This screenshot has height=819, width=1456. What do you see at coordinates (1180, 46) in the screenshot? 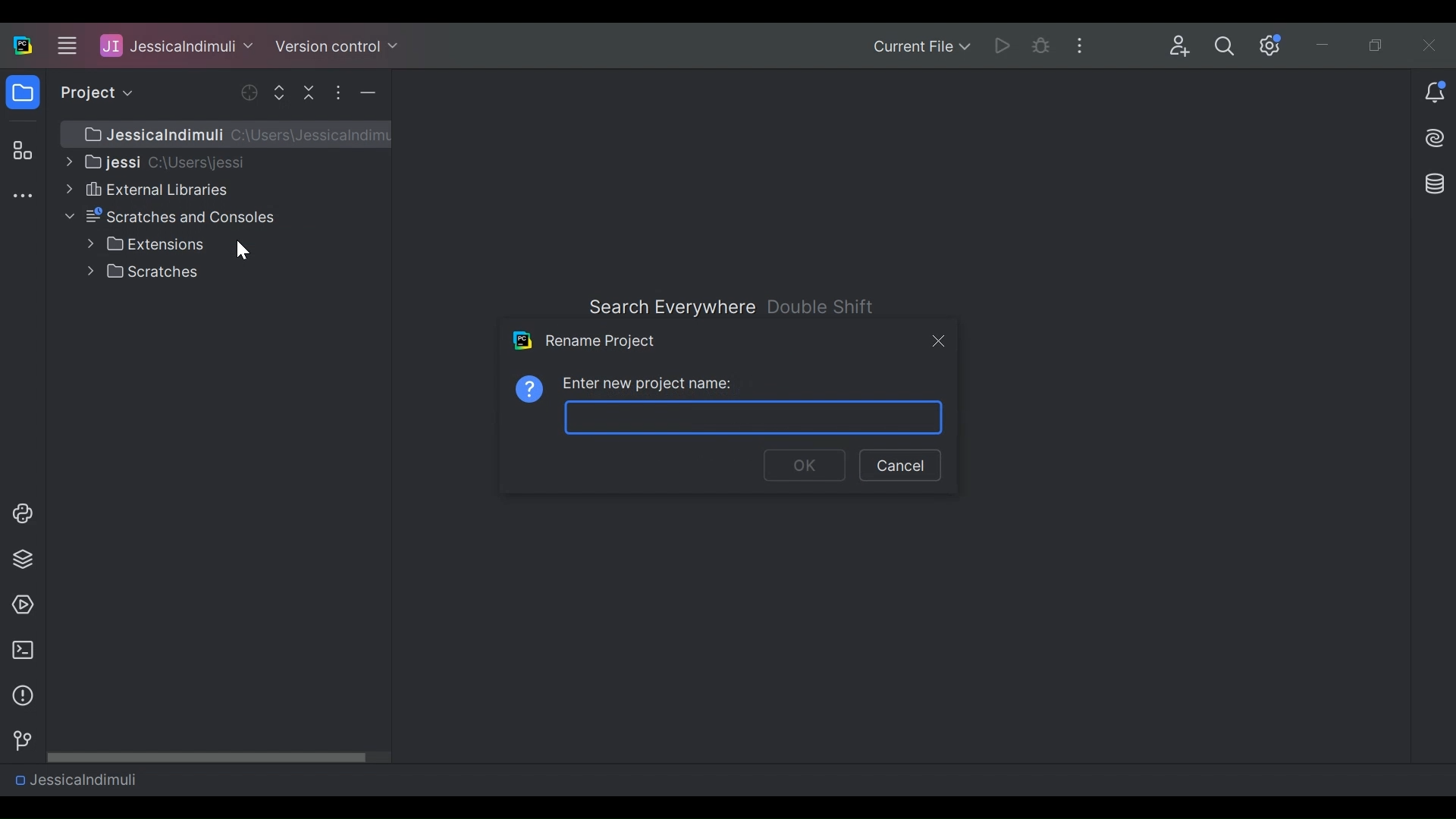
I see `Code with Me` at bounding box center [1180, 46].